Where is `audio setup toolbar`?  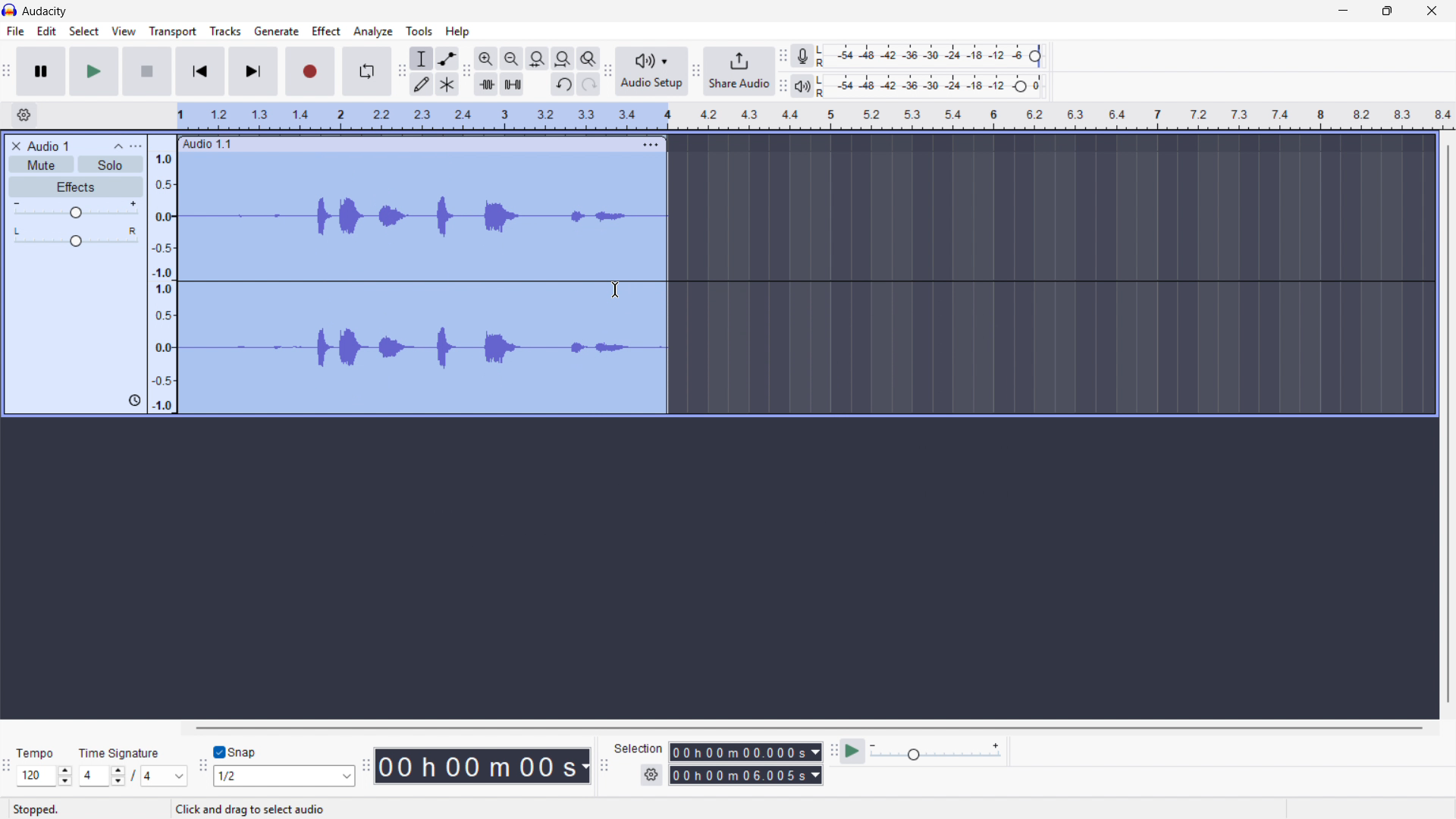 audio setup toolbar is located at coordinates (607, 73).